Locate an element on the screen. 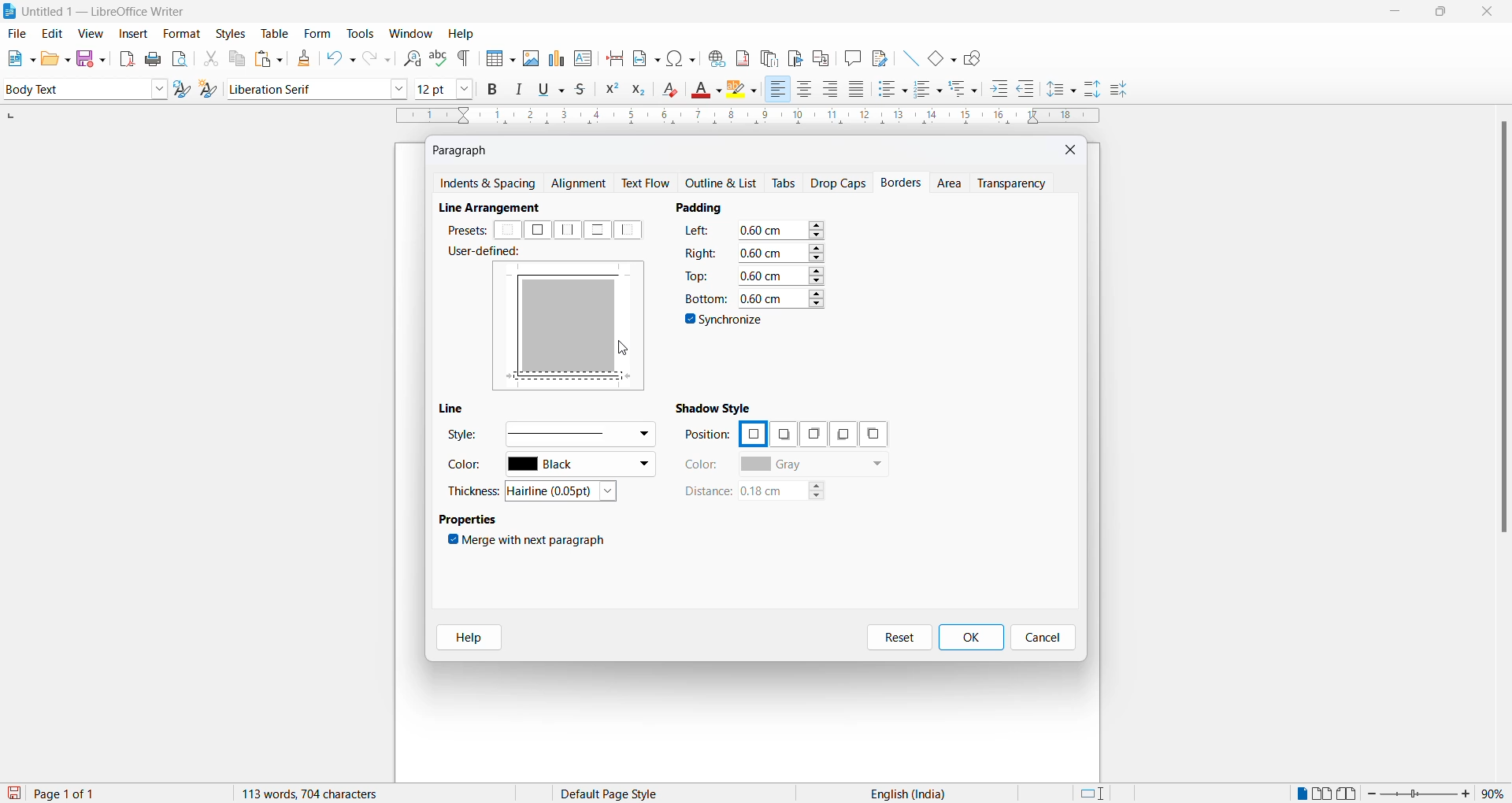 The width and height of the screenshot is (1512, 803). view is located at coordinates (93, 33).